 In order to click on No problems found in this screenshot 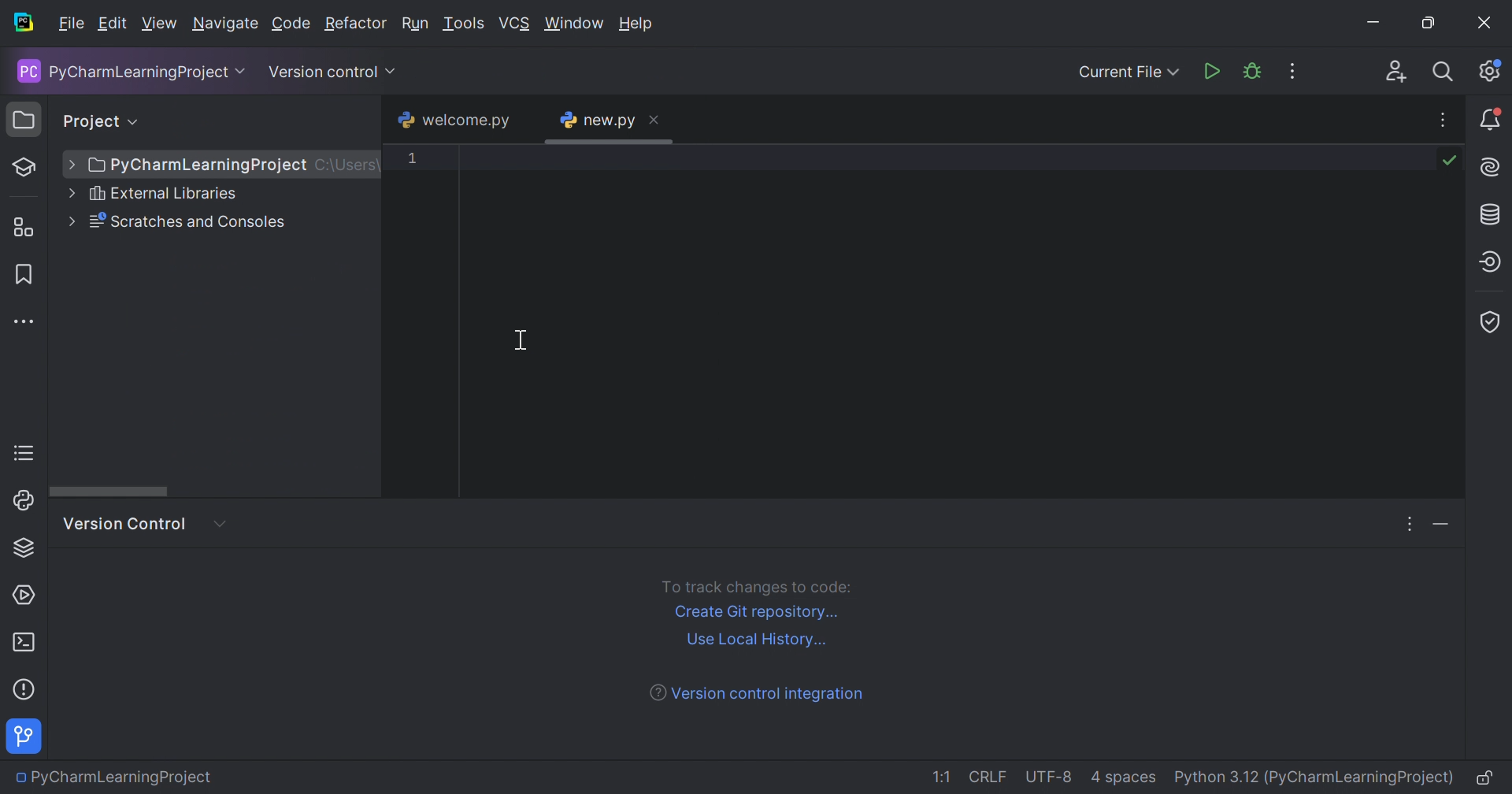, I will do `click(1451, 161)`.